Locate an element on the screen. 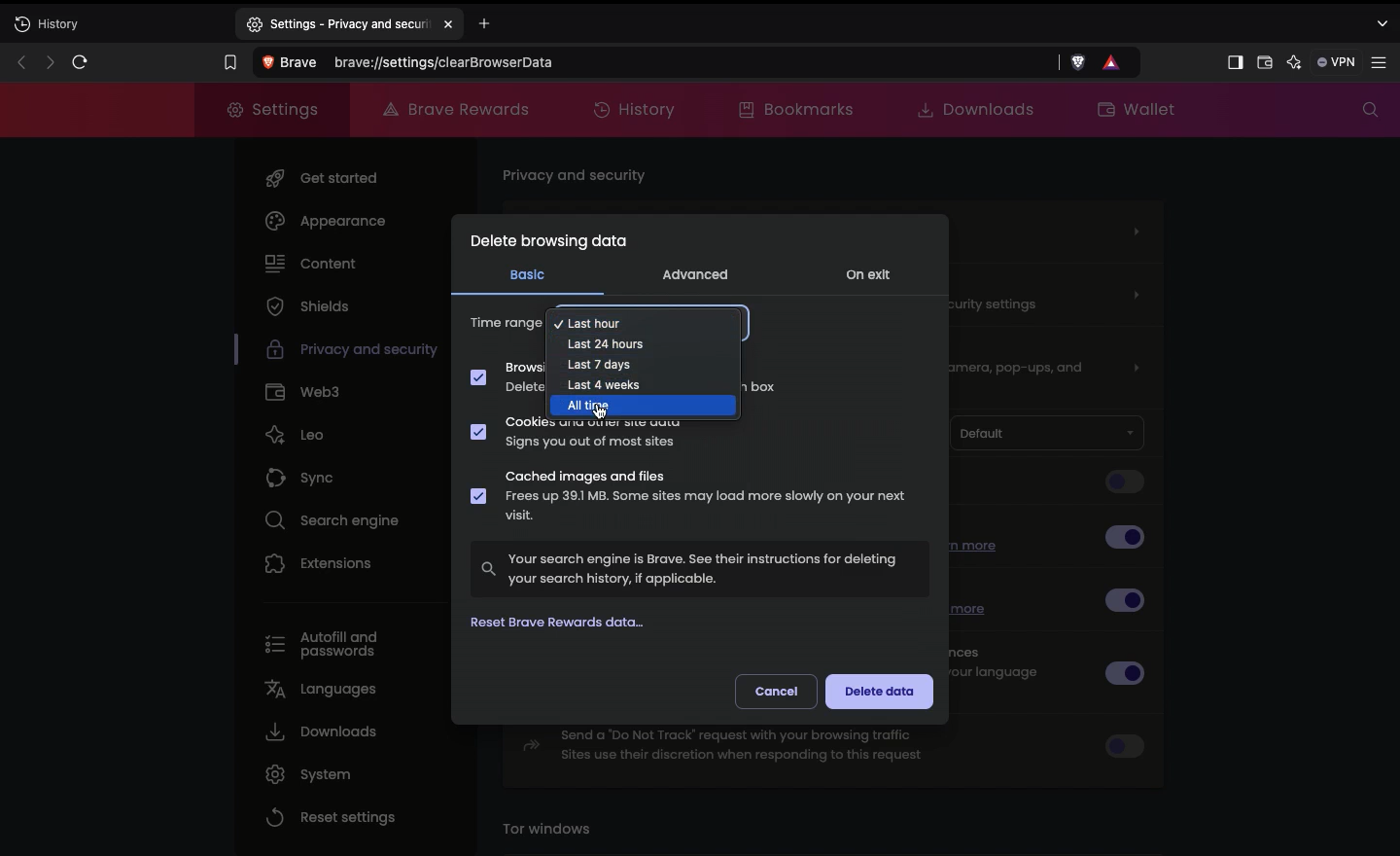  Appearance is located at coordinates (333, 224).